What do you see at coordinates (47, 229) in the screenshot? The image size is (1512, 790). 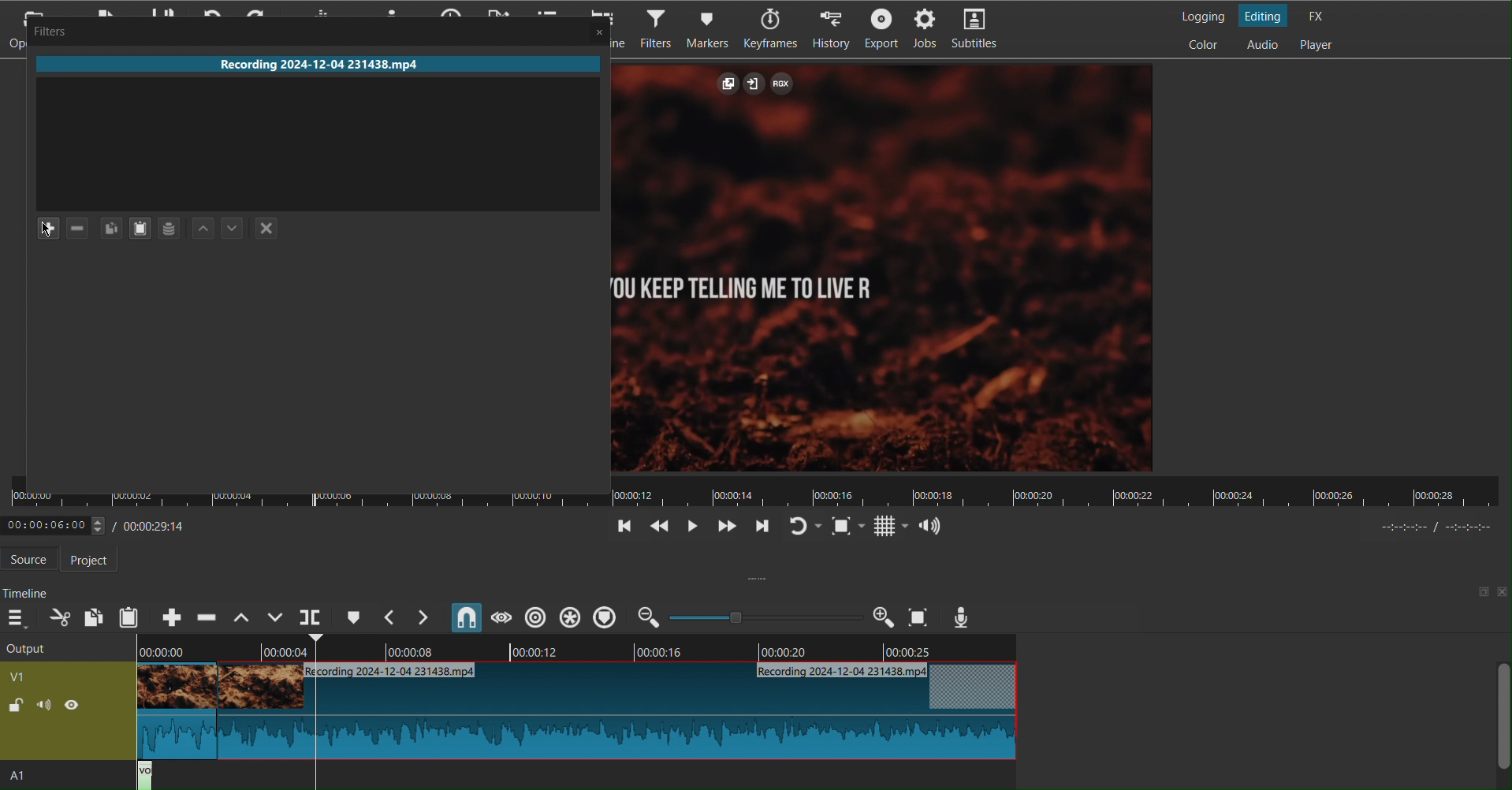 I see `Plus` at bounding box center [47, 229].